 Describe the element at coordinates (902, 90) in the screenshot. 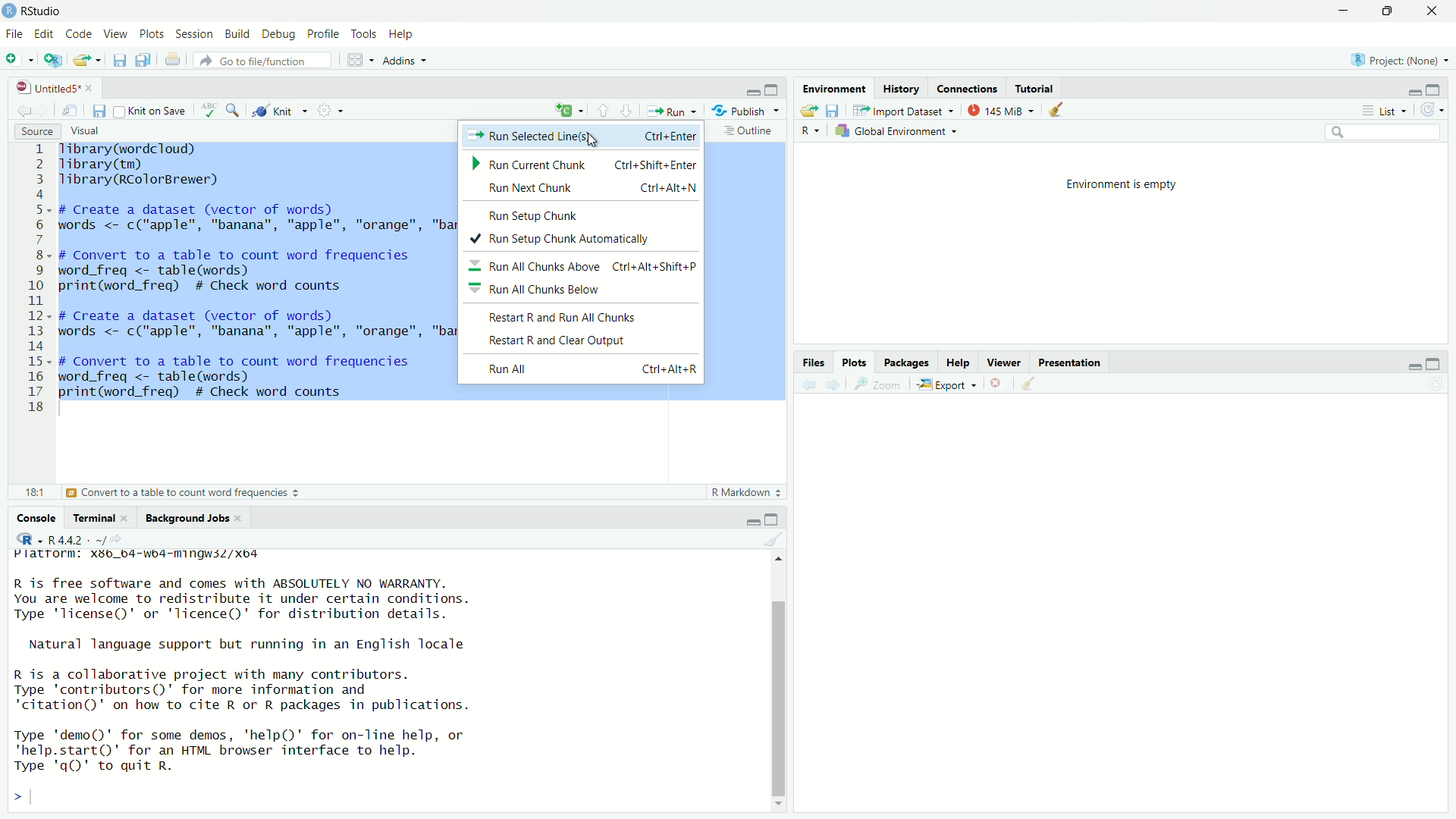

I see `History` at that location.